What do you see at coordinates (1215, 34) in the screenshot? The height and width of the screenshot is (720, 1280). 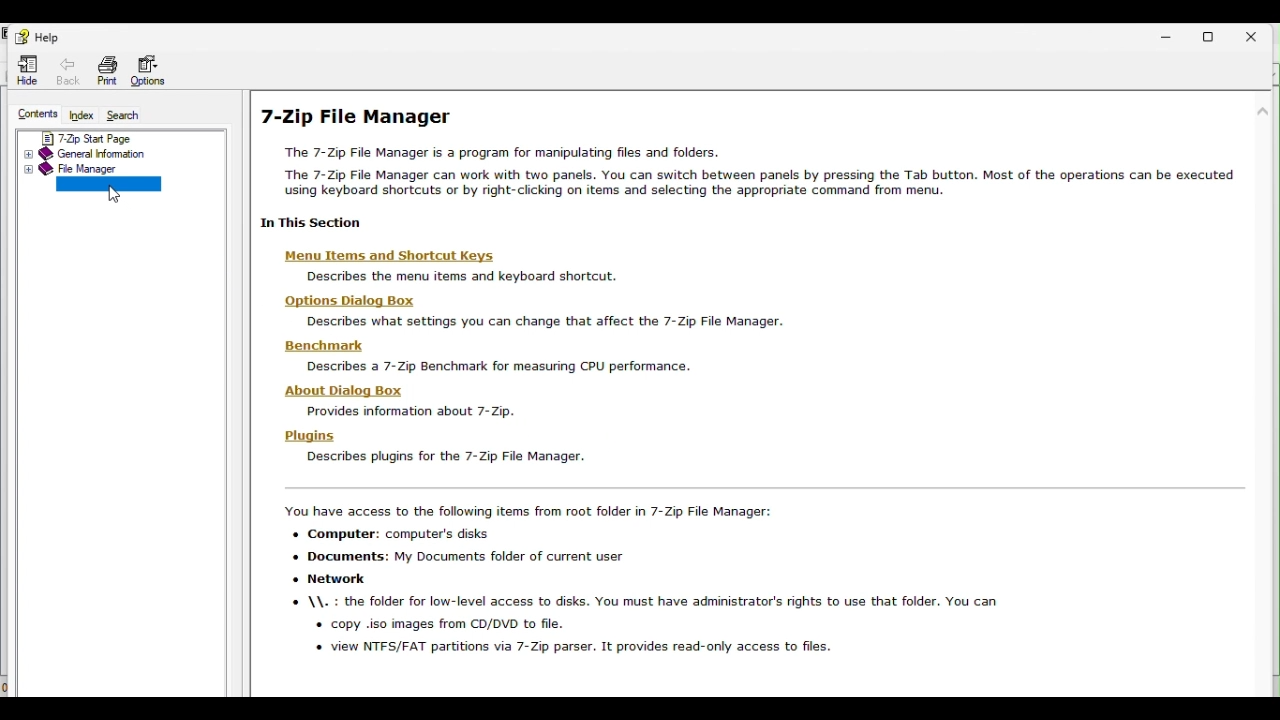 I see `Restore` at bounding box center [1215, 34].